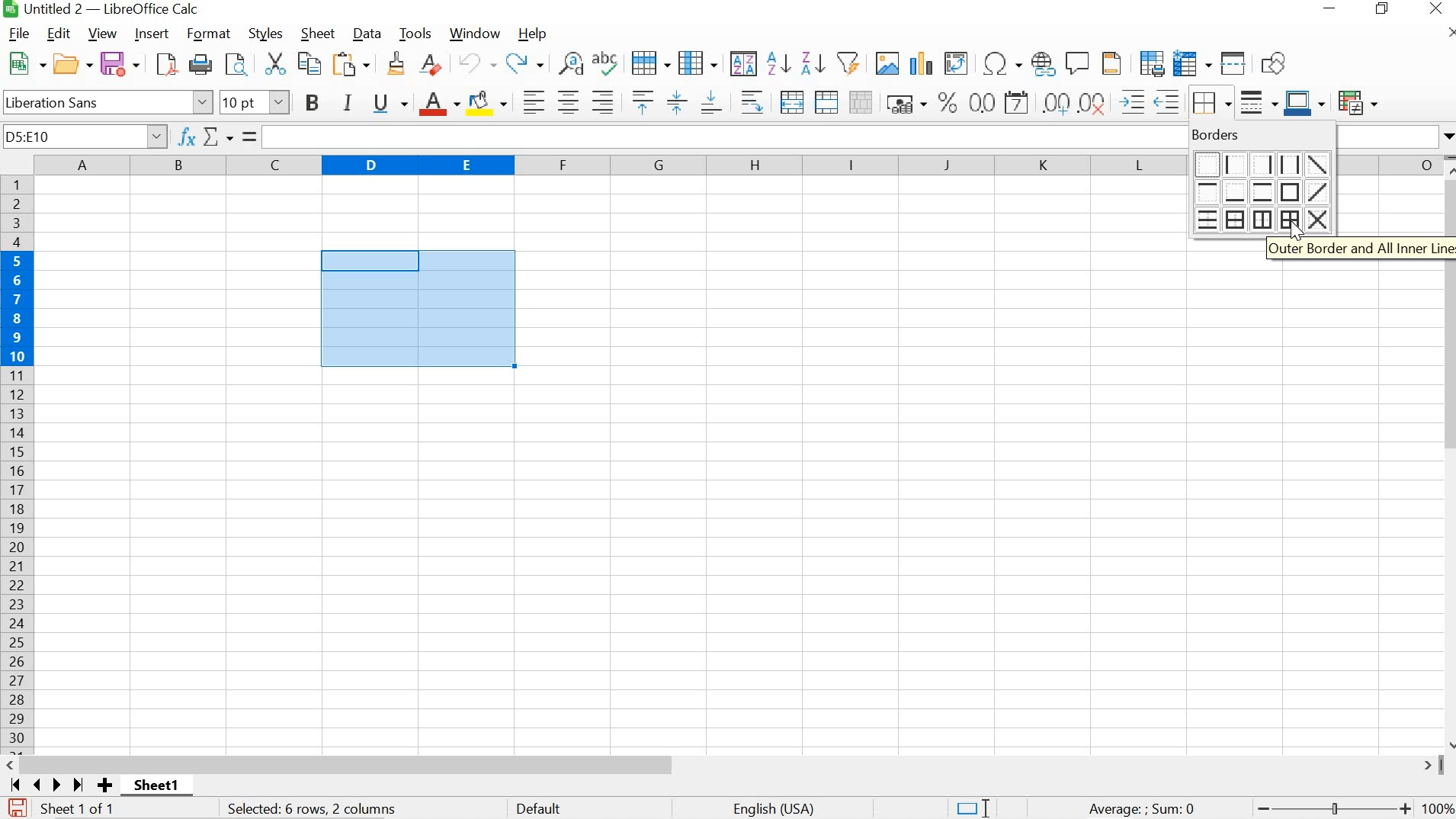 This screenshot has width=1456, height=819. Describe the element at coordinates (1234, 64) in the screenshot. I see `split window` at that location.